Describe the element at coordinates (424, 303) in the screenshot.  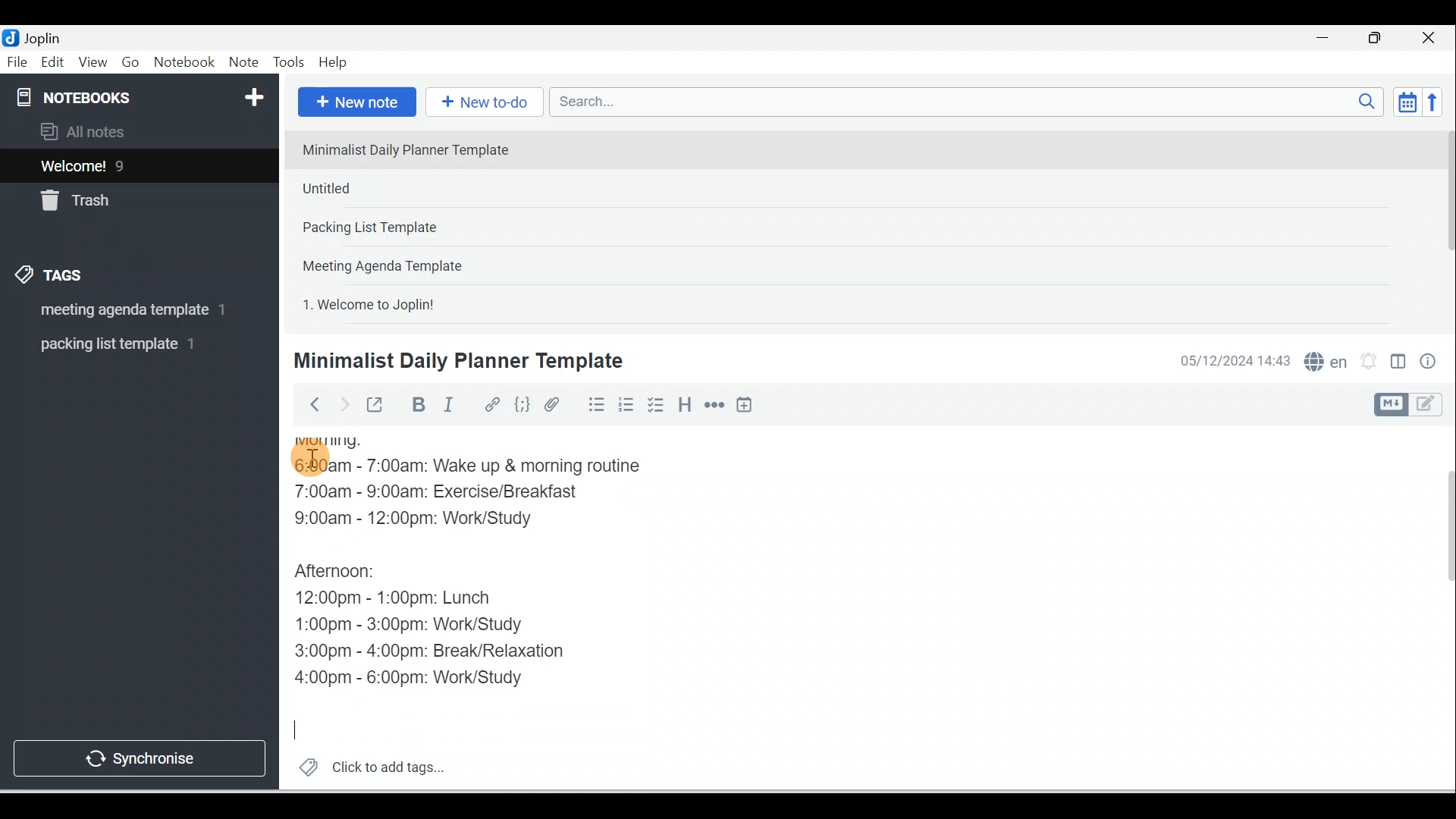
I see `Note 5` at that location.